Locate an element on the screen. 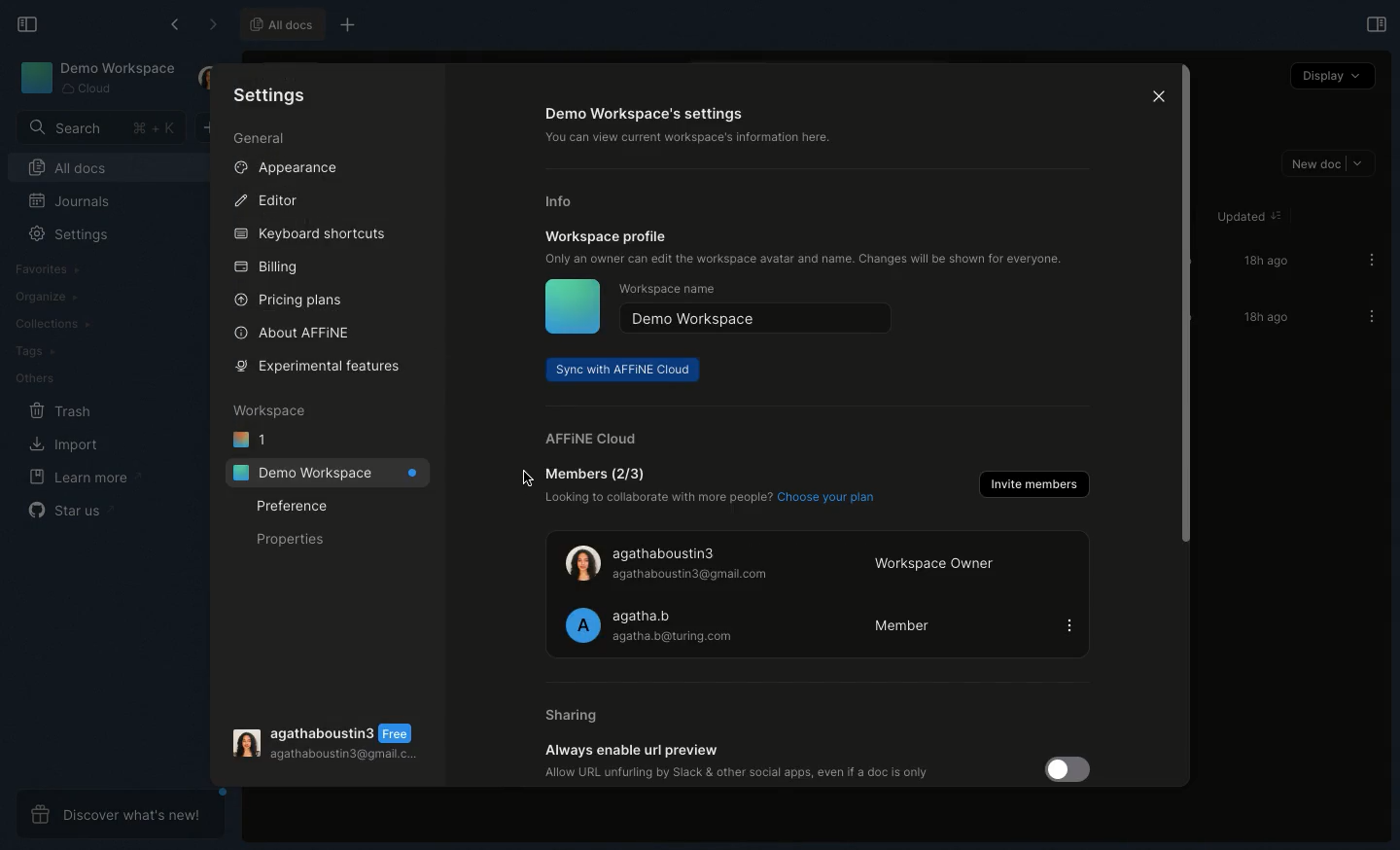  Learn more is located at coordinates (80, 477).